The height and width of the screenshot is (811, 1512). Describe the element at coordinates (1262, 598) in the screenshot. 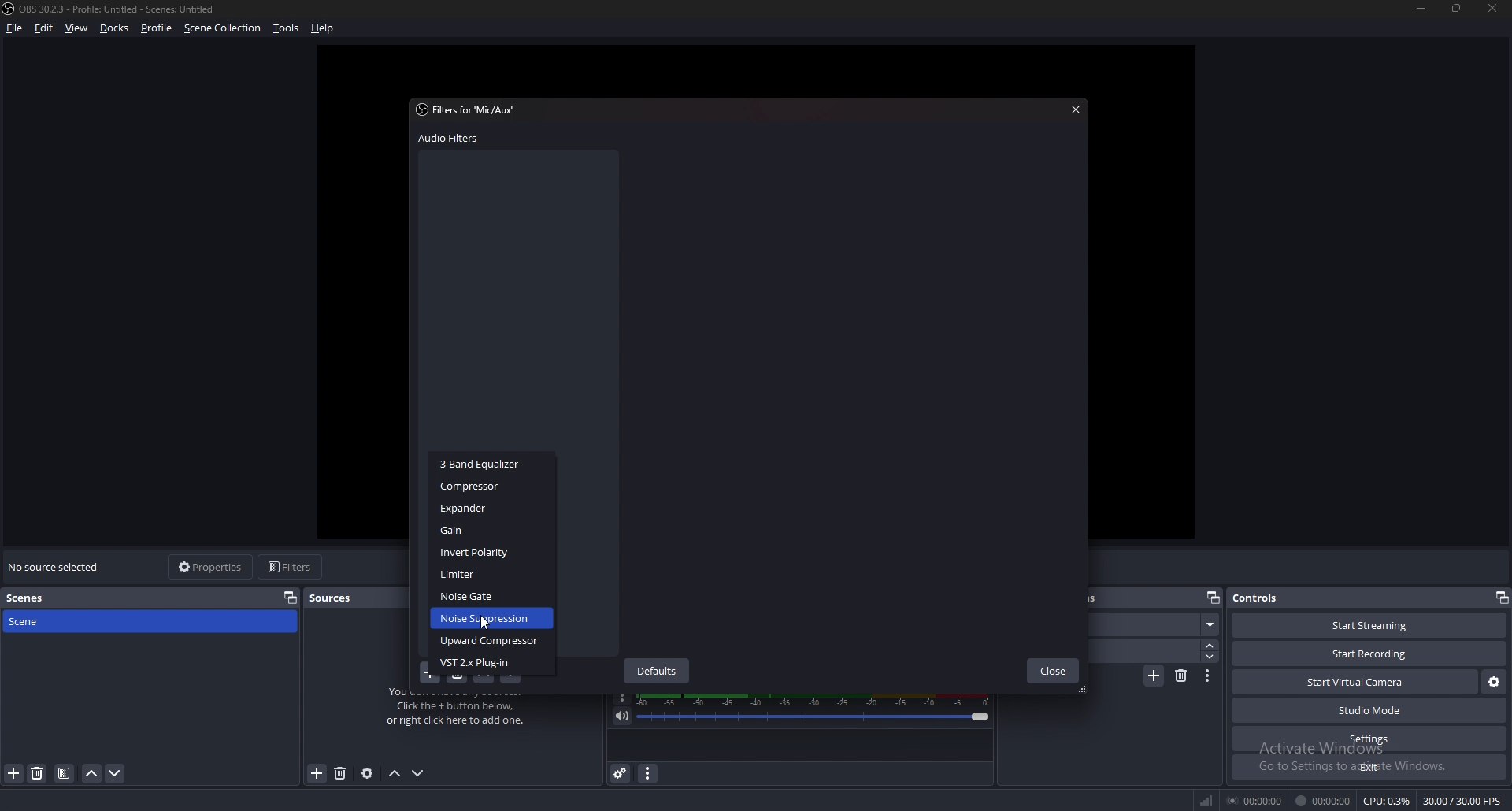

I see `controls` at that location.